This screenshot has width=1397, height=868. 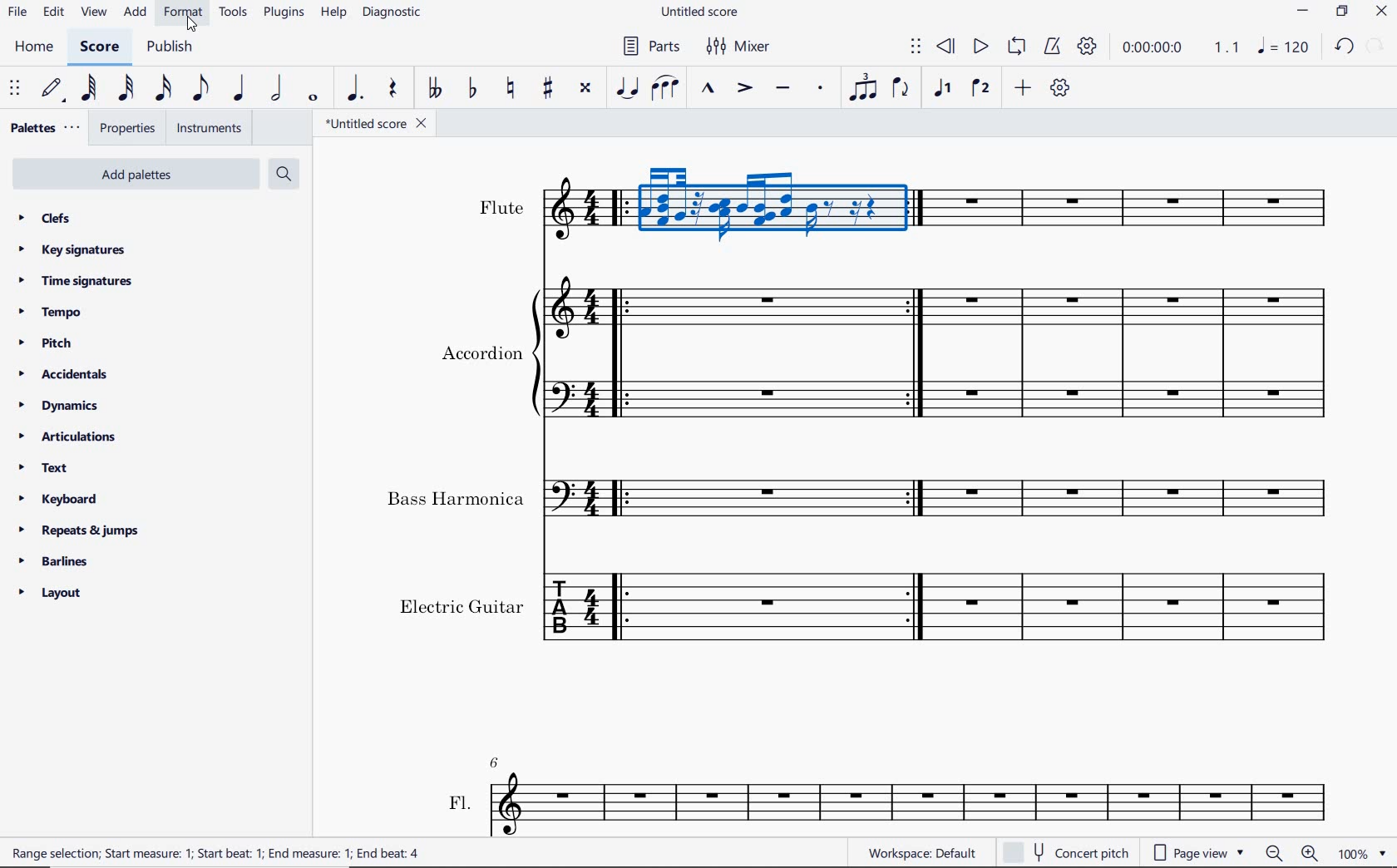 What do you see at coordinates (333, 14) in the screenshot?
I see `help` at bounding box center [333, 14].